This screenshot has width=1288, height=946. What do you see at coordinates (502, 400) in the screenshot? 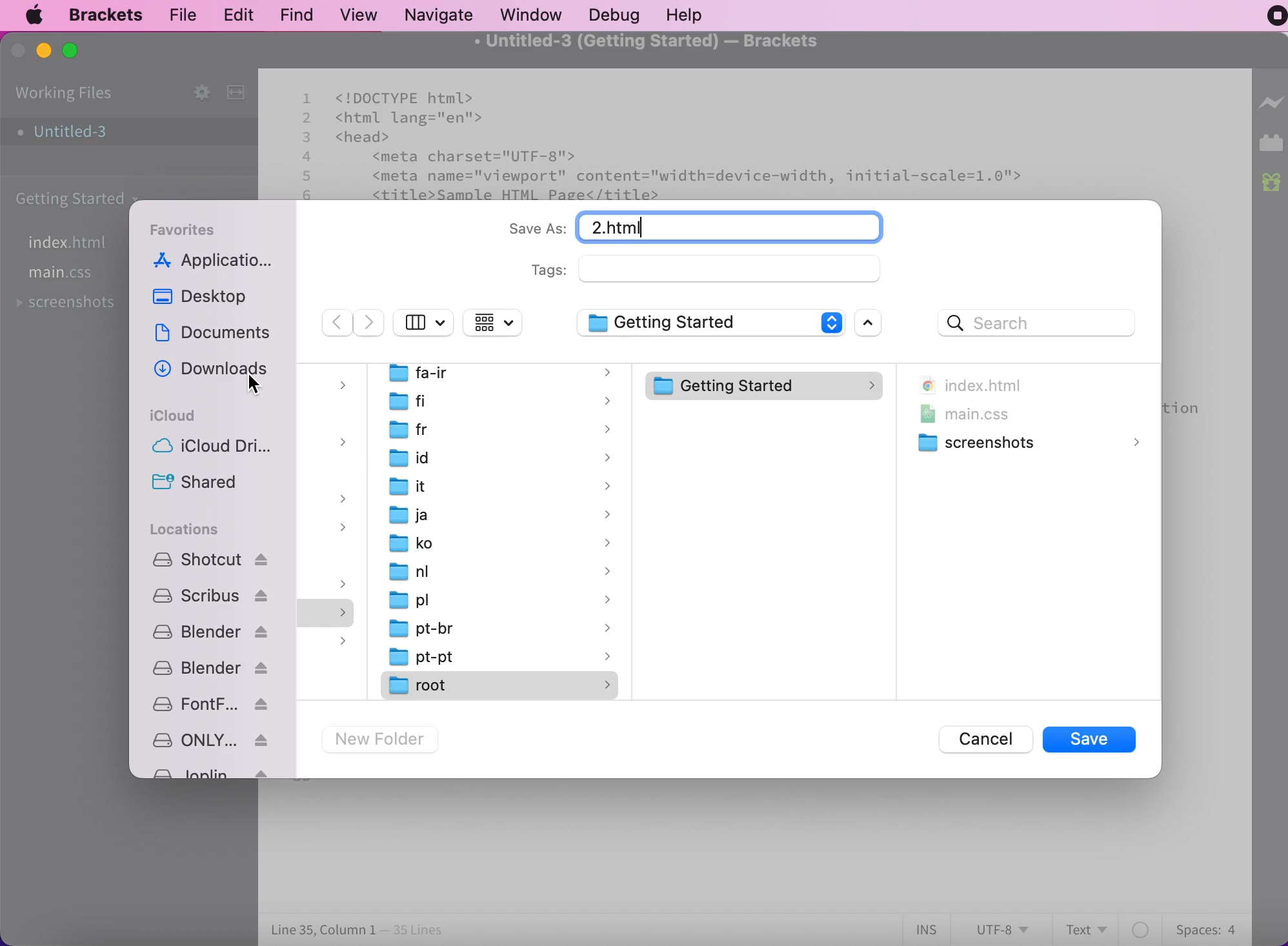
I see `fi` at bounding box center [502, 400].